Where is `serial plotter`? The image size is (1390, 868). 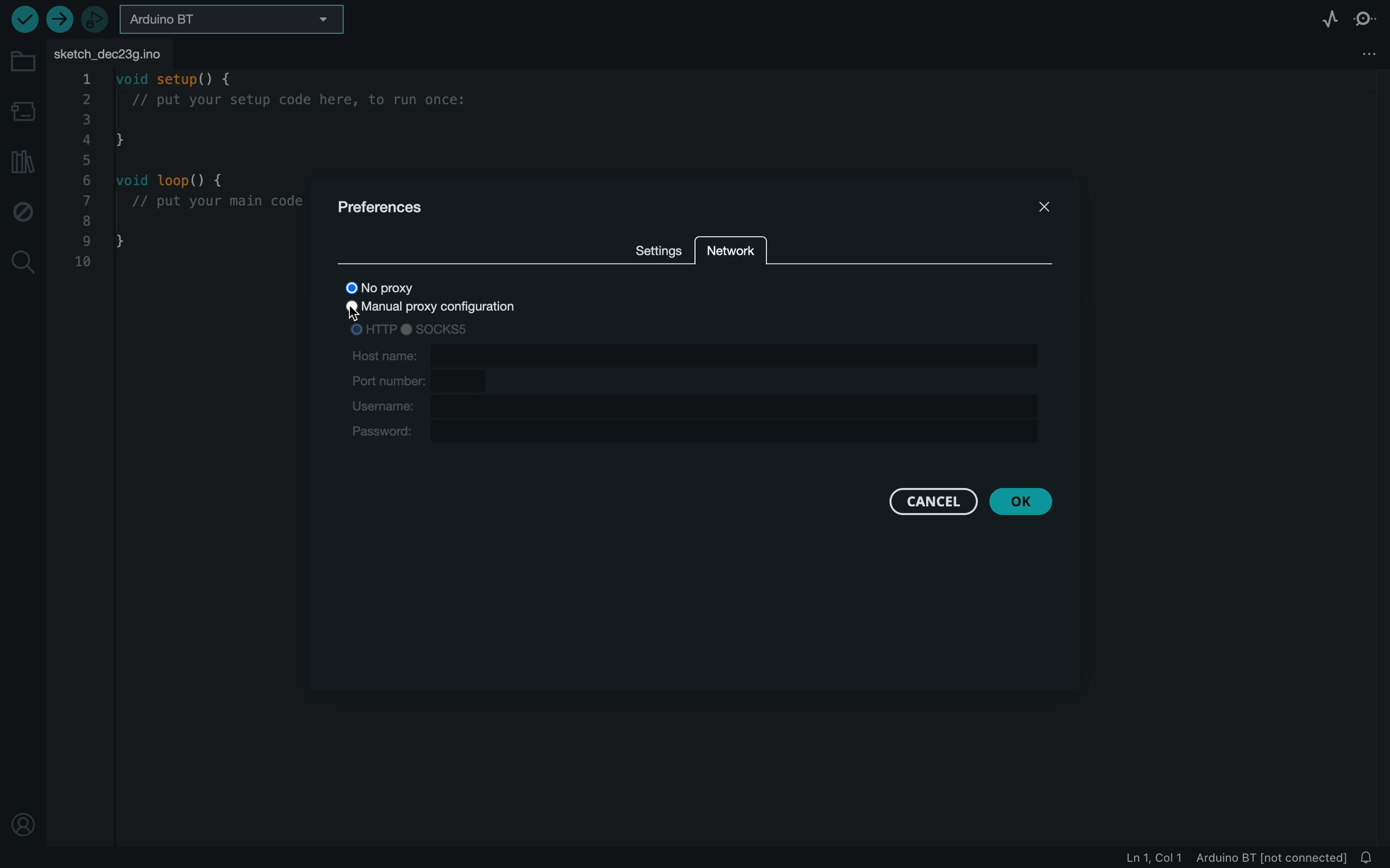
serial plotter is located at coordinates (1323, 18).